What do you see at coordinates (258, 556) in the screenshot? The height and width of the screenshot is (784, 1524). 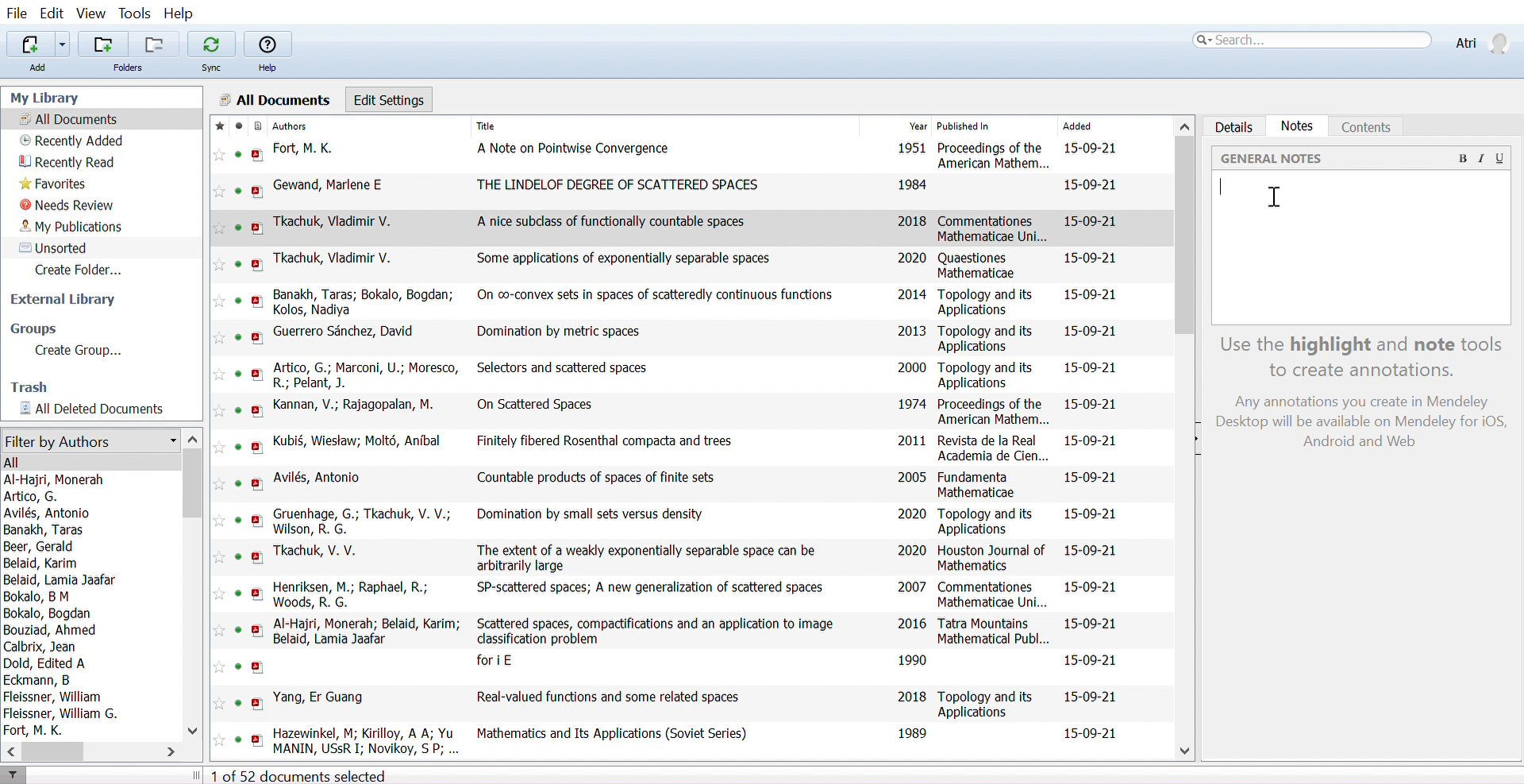 I see `open PDF` at bounding box center [258, 556].